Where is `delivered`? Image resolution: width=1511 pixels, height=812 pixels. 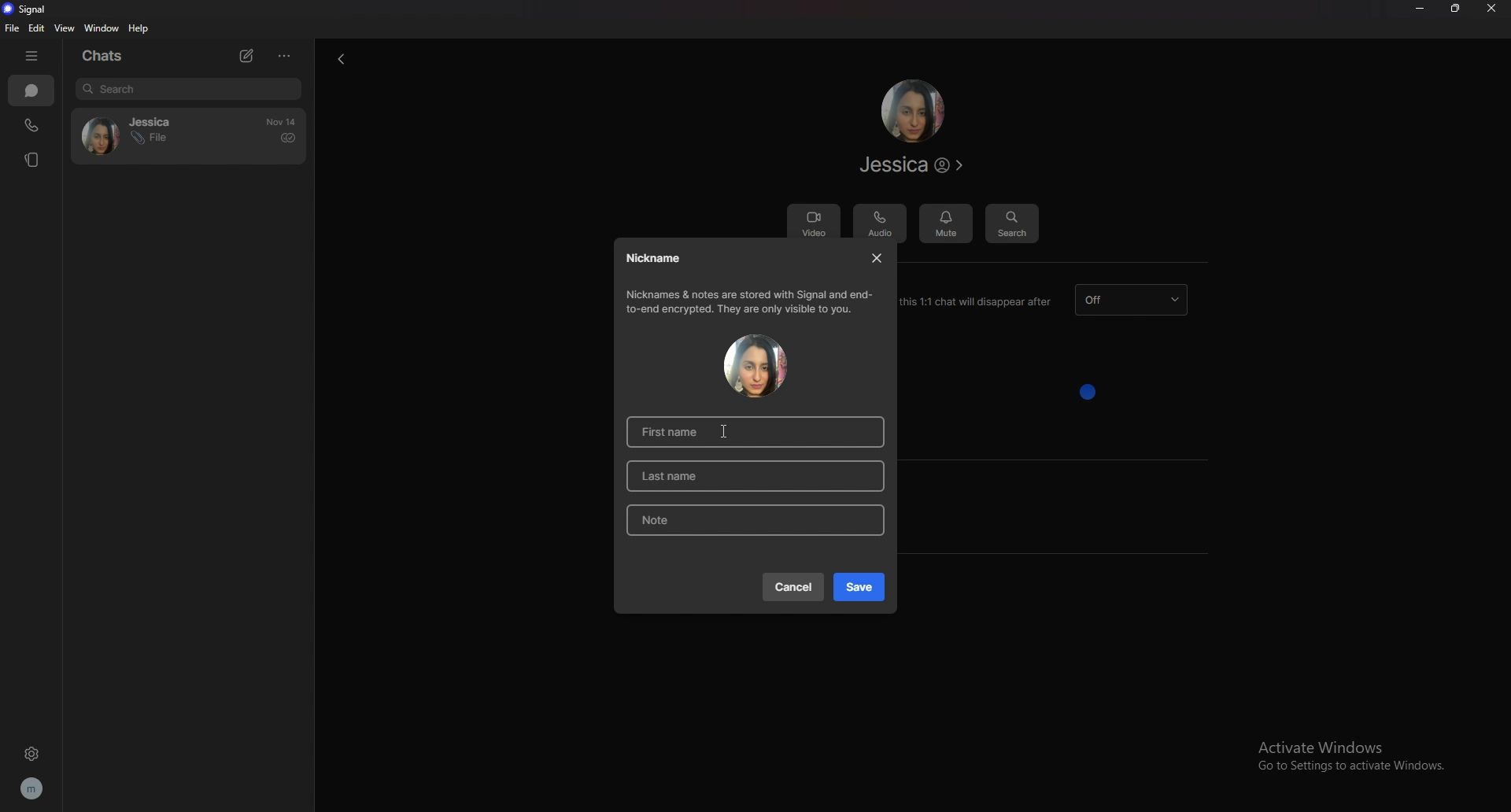 delivered is located at coordinates (288, 138).